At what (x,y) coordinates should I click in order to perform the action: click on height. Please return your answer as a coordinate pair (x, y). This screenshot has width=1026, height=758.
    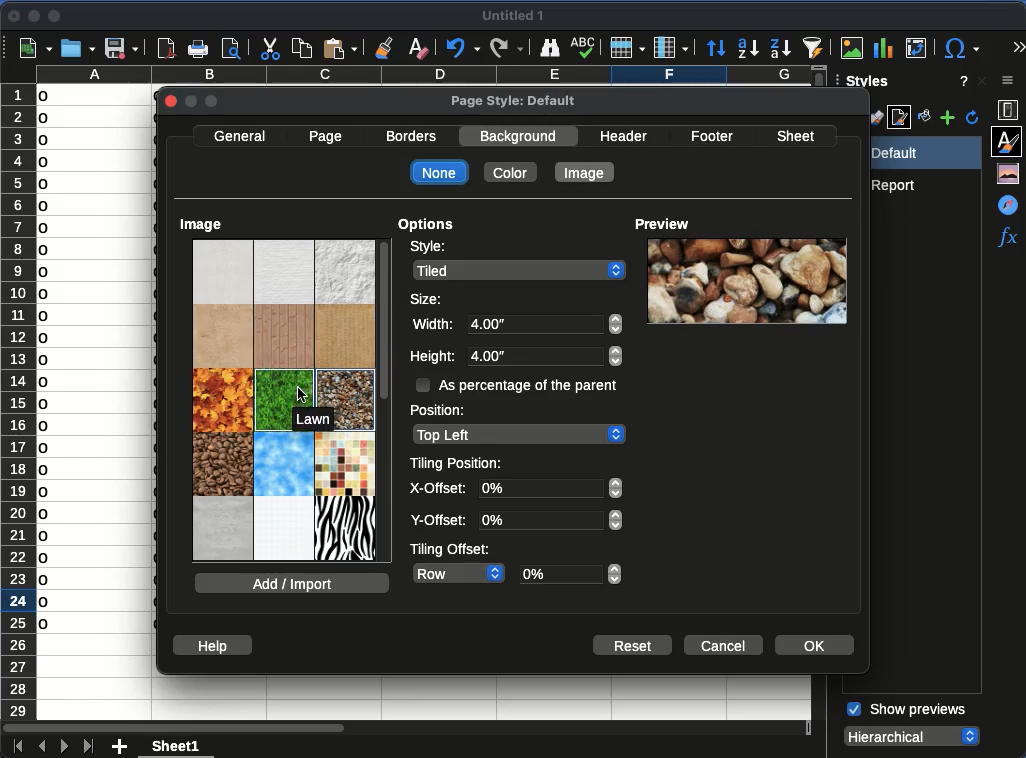
    Looking at the image, I should click on (433, 359).